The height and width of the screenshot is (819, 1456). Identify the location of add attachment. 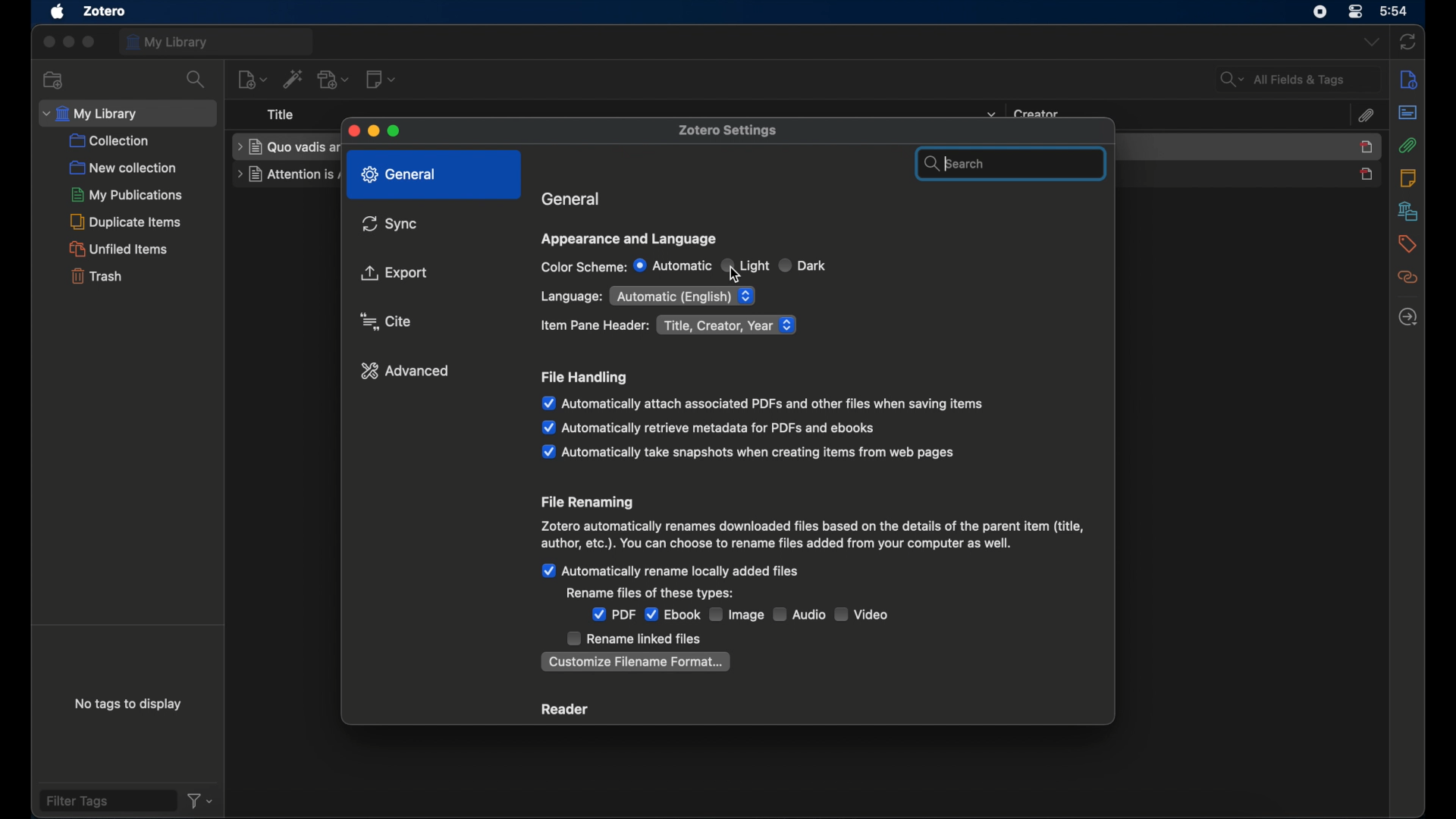
(333, 80).